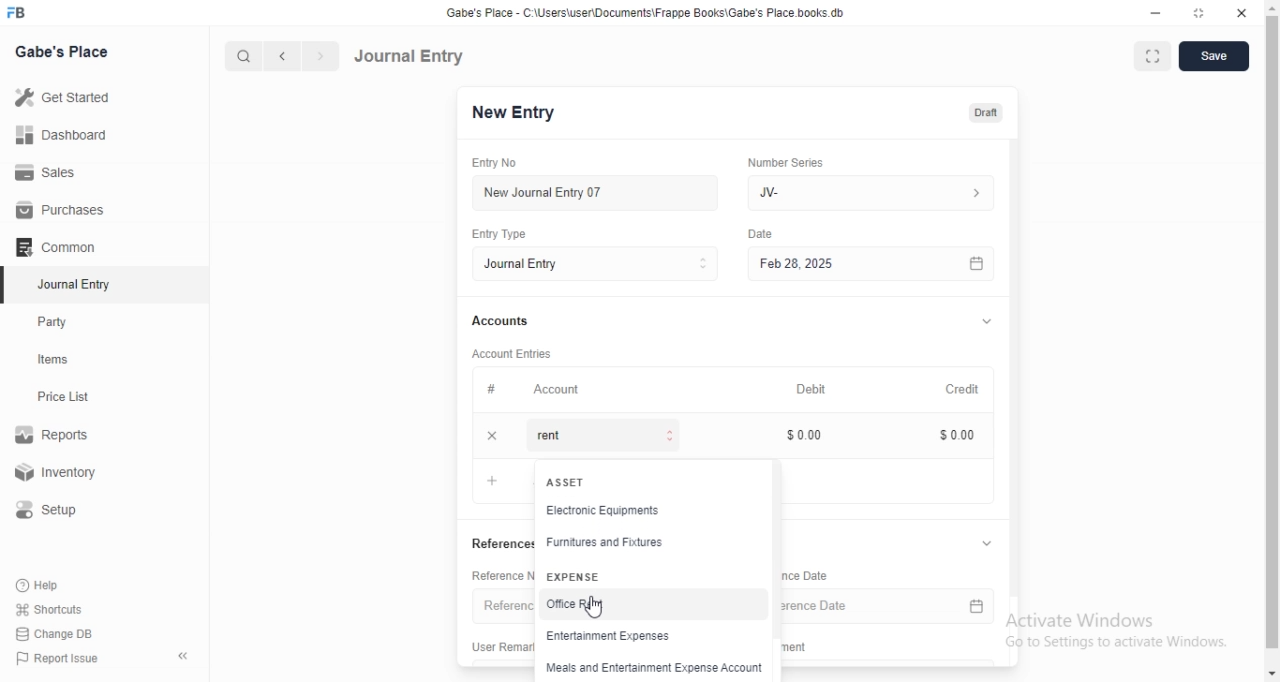 This screenshot has height=682, width=1280. What do you see at coordinates (538, 390) in the screenshot?
I see `# Account` at bounding box center [538, 390].